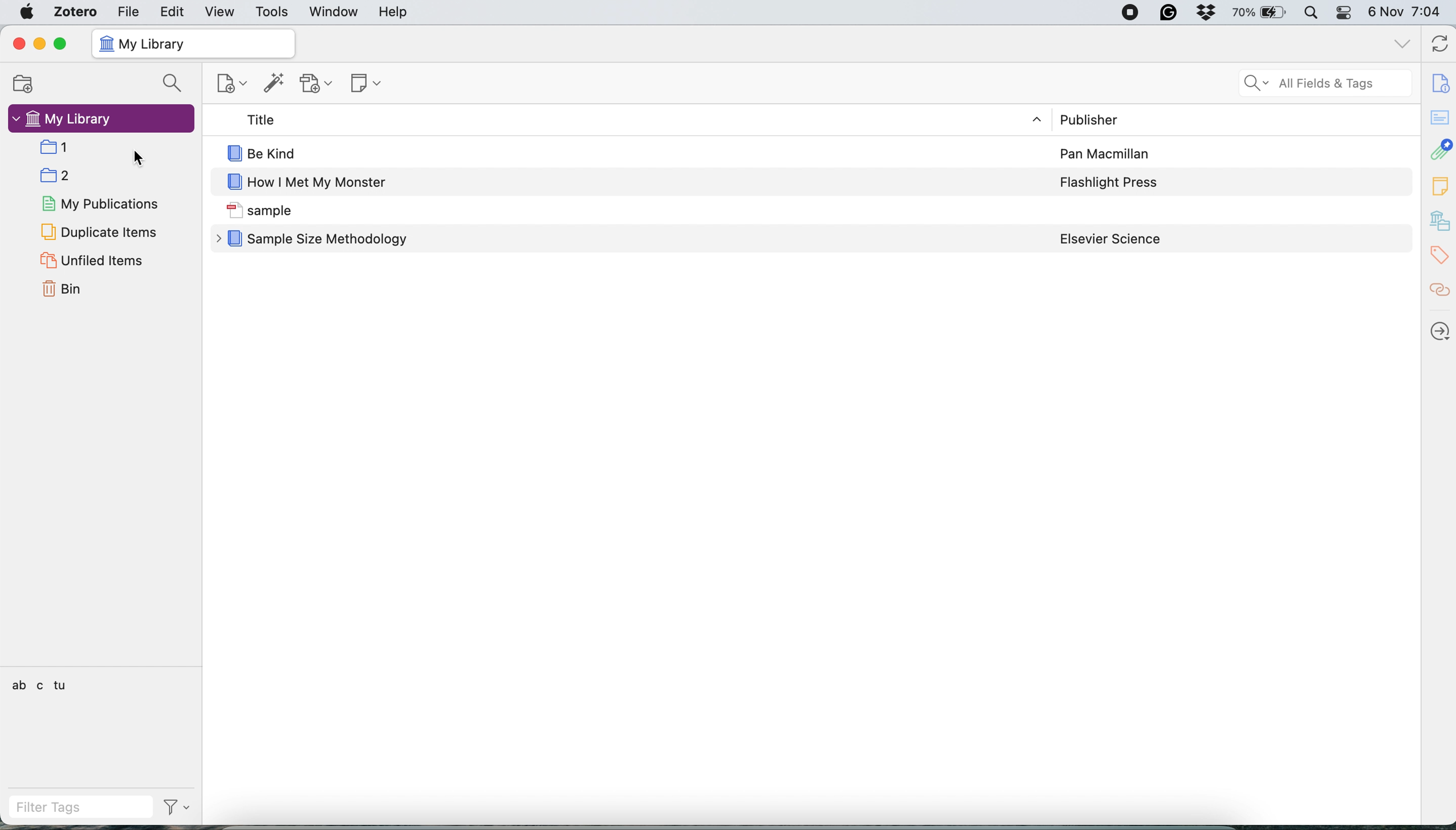  I want to click on bin, so click(66, 288).